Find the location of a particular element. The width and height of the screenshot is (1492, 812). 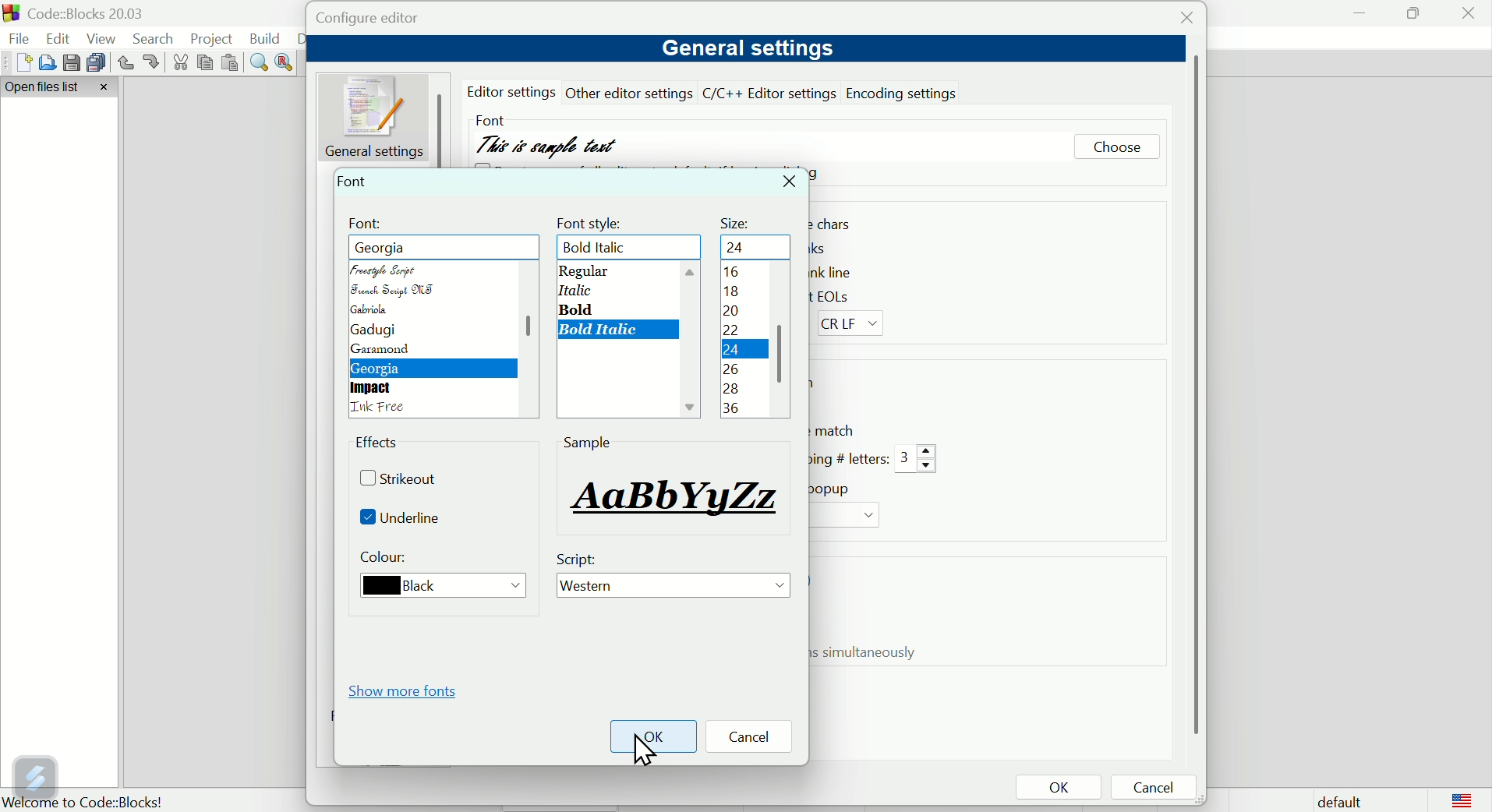

Regular is located at coordinates (585, 271).